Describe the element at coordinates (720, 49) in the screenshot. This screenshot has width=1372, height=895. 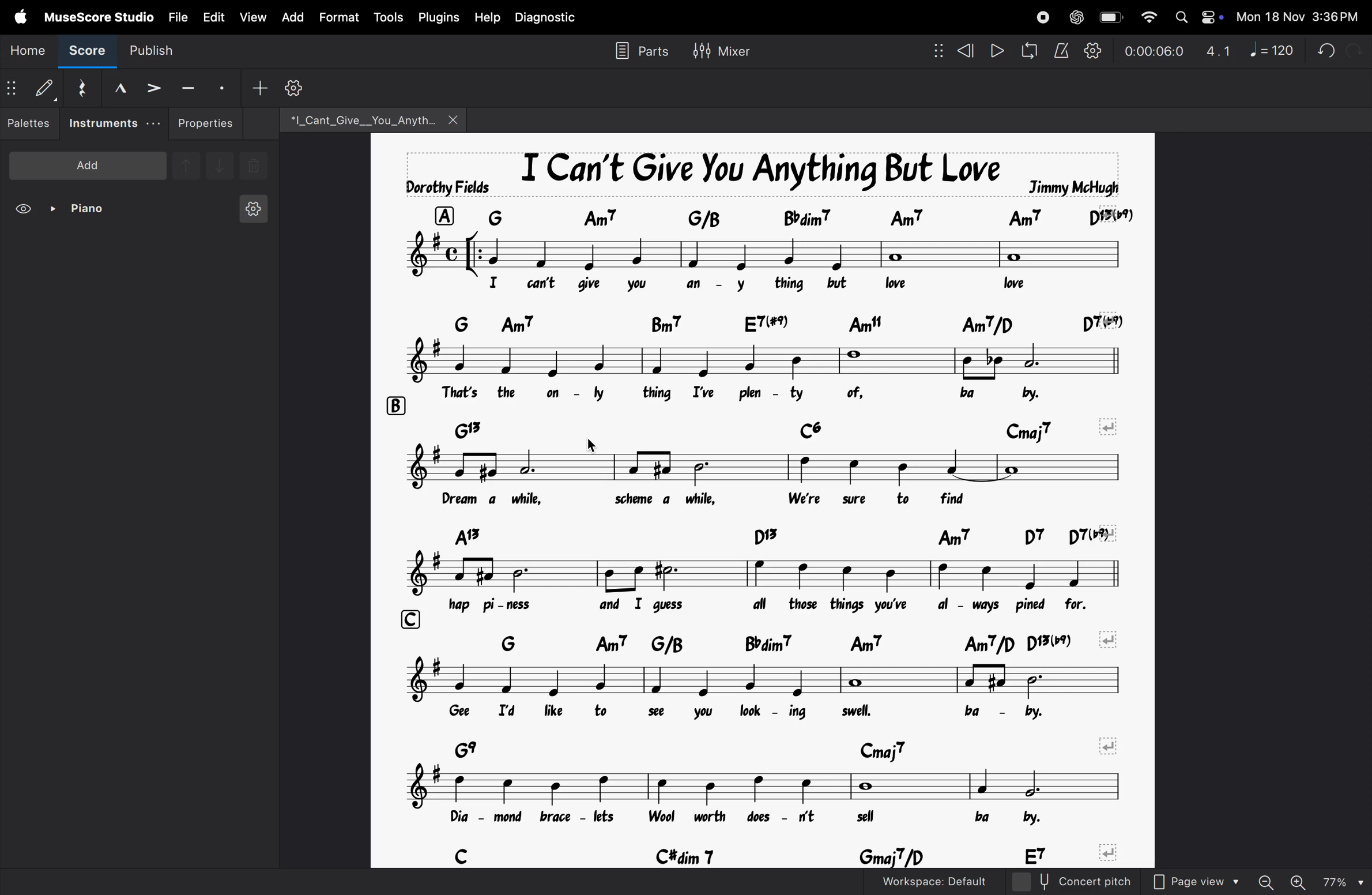
I see `mixer` at that location.